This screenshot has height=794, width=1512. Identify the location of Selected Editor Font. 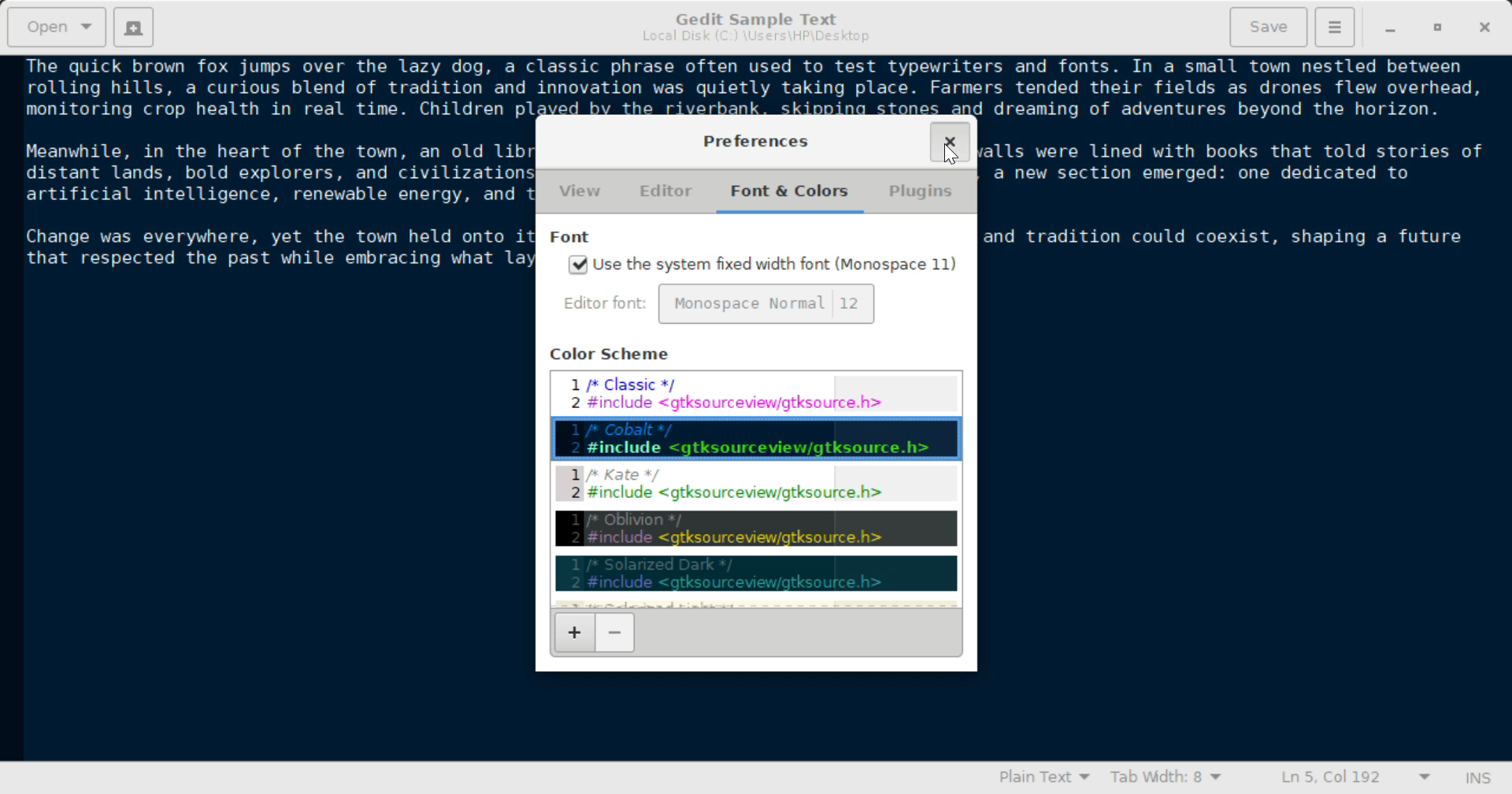
(608, 305).